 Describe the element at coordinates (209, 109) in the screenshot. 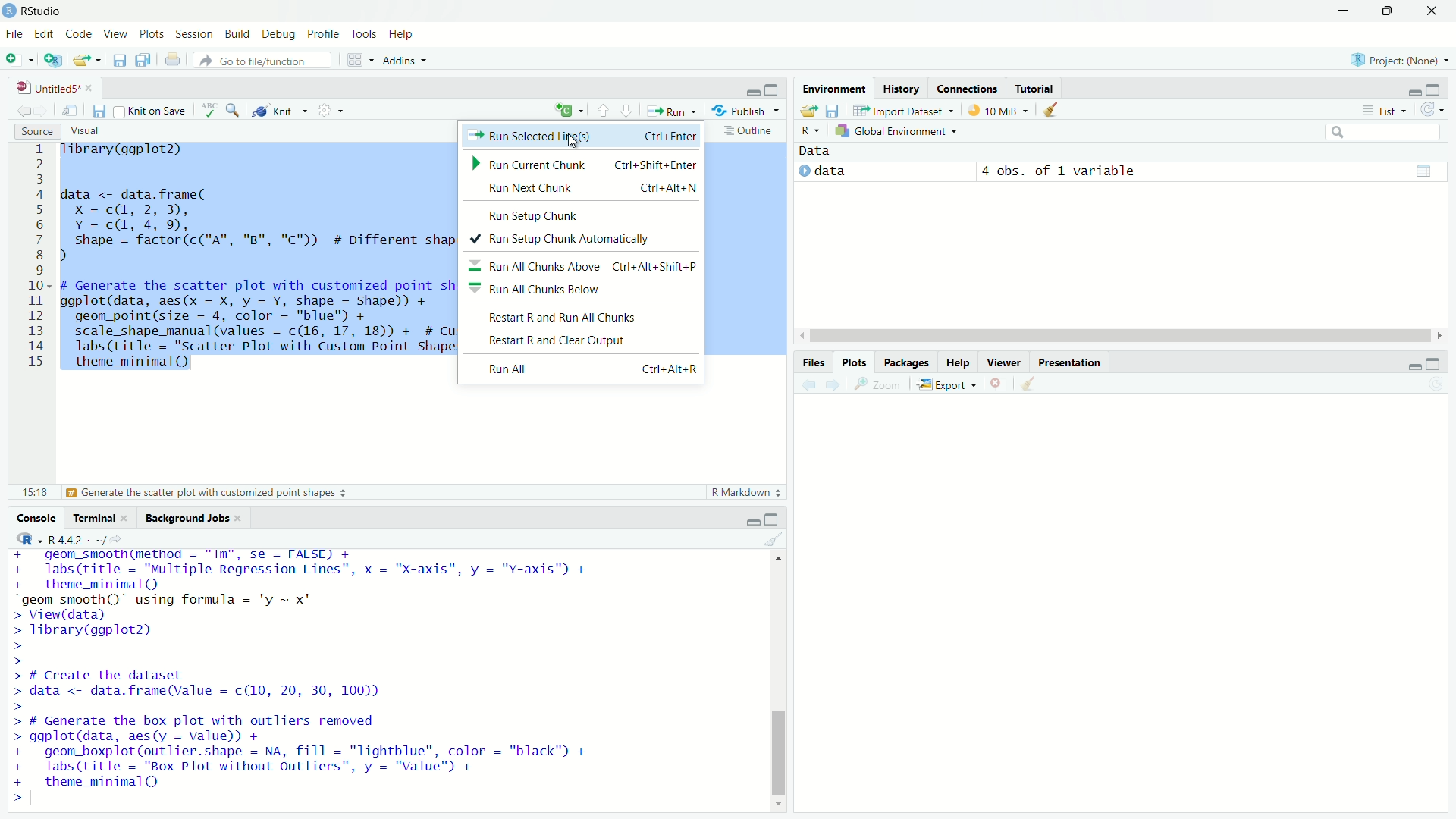

I see `Check spelling in the document` at that location.